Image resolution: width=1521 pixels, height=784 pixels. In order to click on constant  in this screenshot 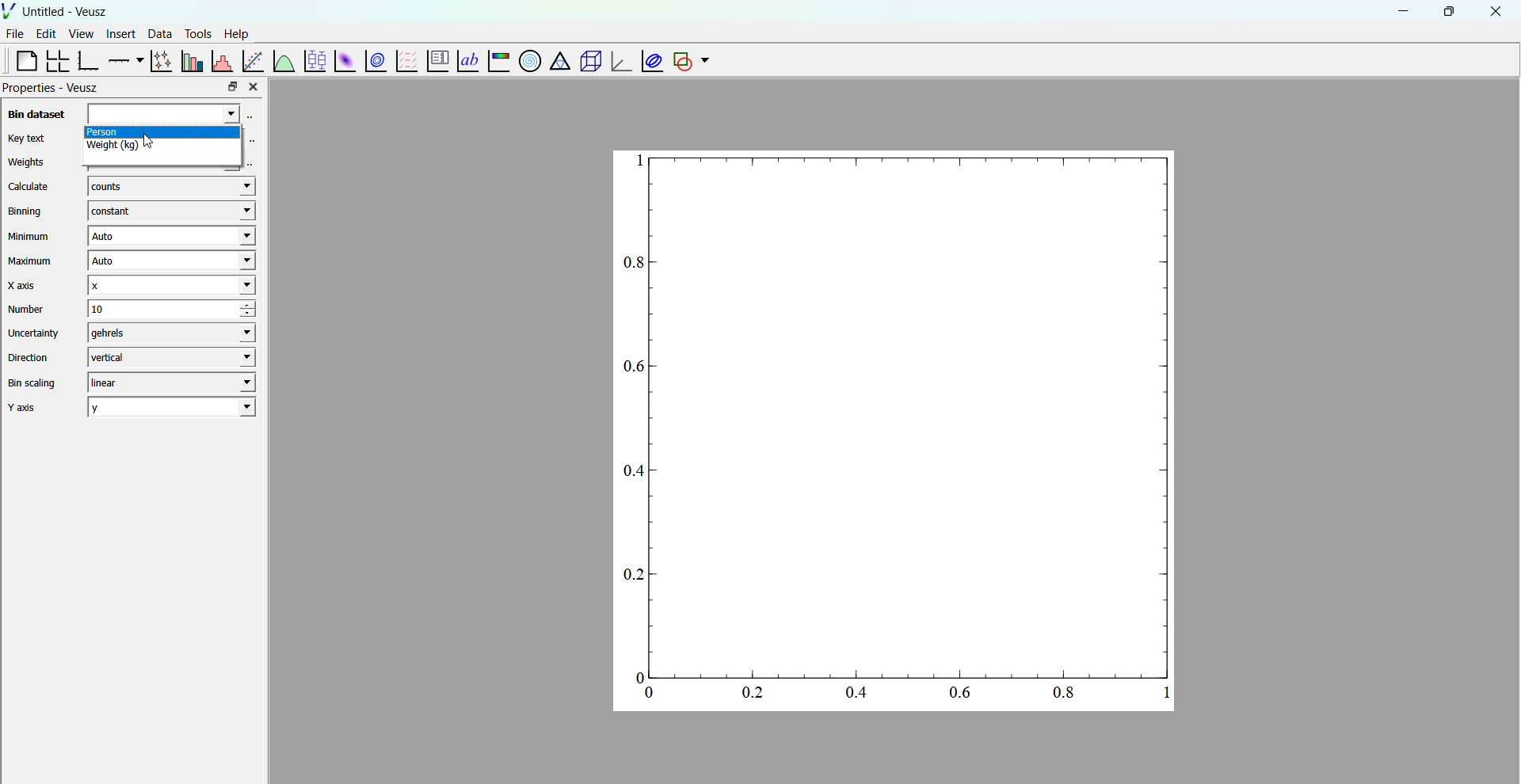, I will do `click(168, 211)`.